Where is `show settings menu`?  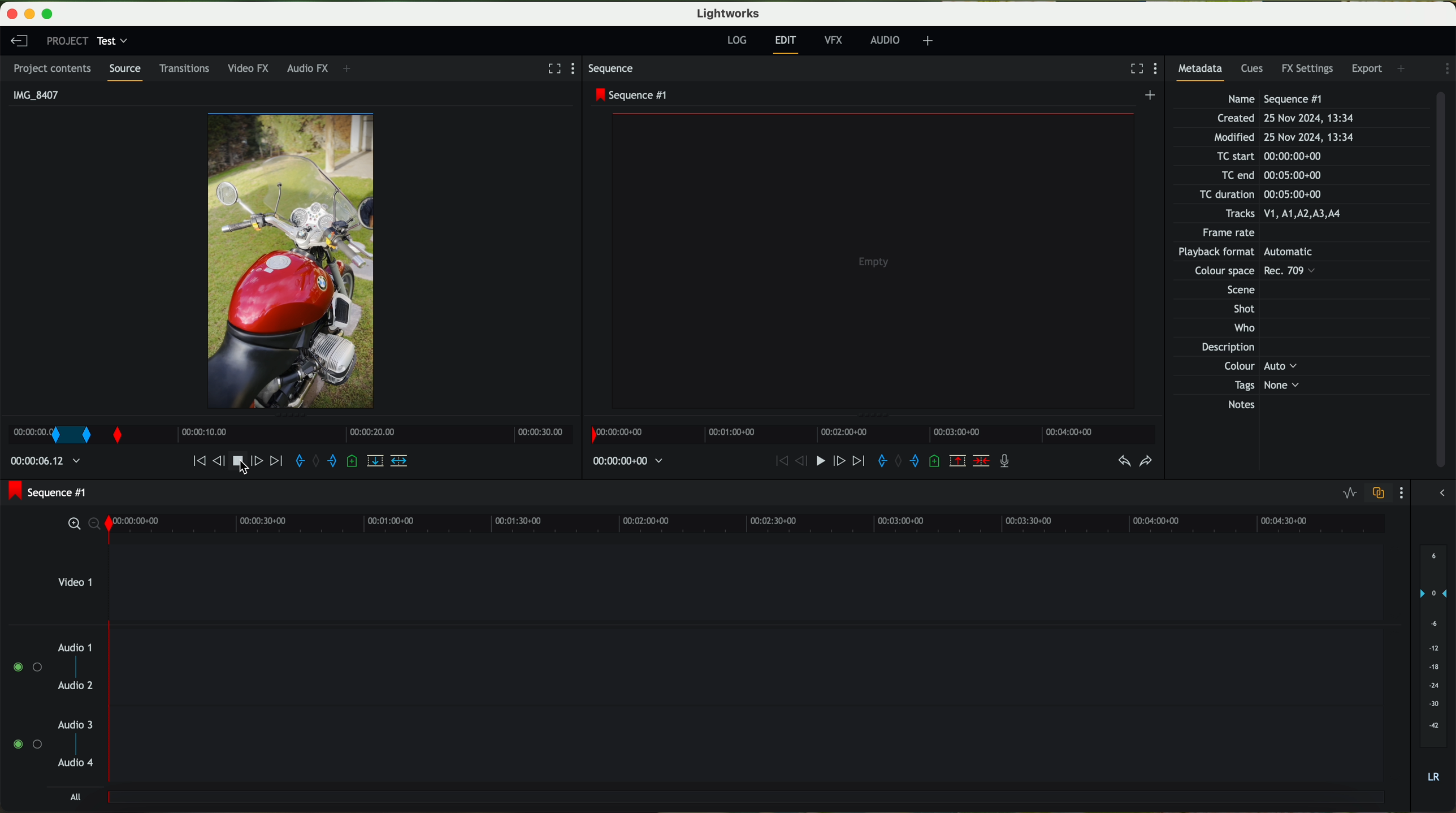 show settings menu is located at coordinates (1158, 70).